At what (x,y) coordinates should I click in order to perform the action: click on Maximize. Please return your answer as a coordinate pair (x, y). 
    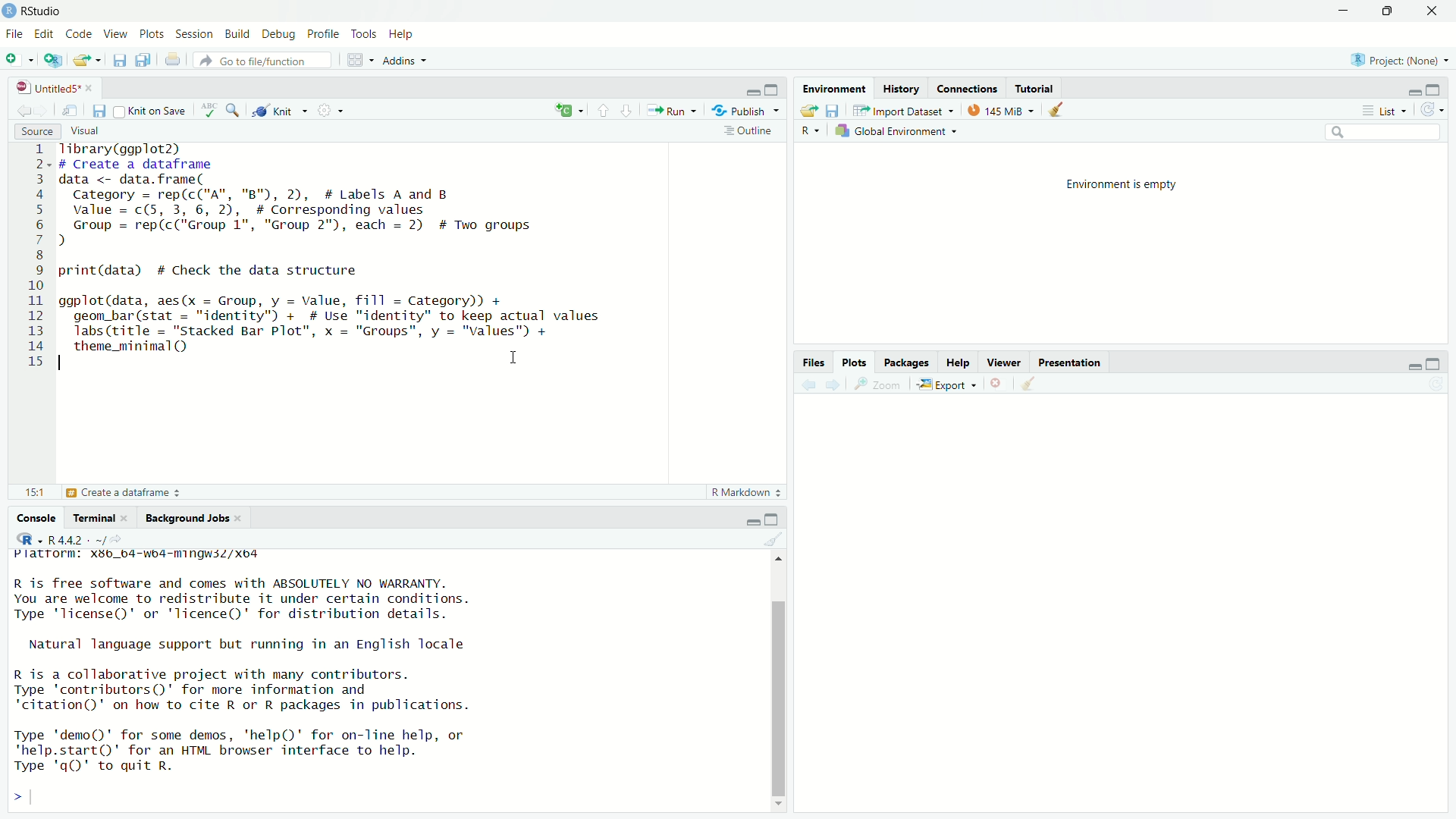
    Looking at the image, I should click on (1439, 363).